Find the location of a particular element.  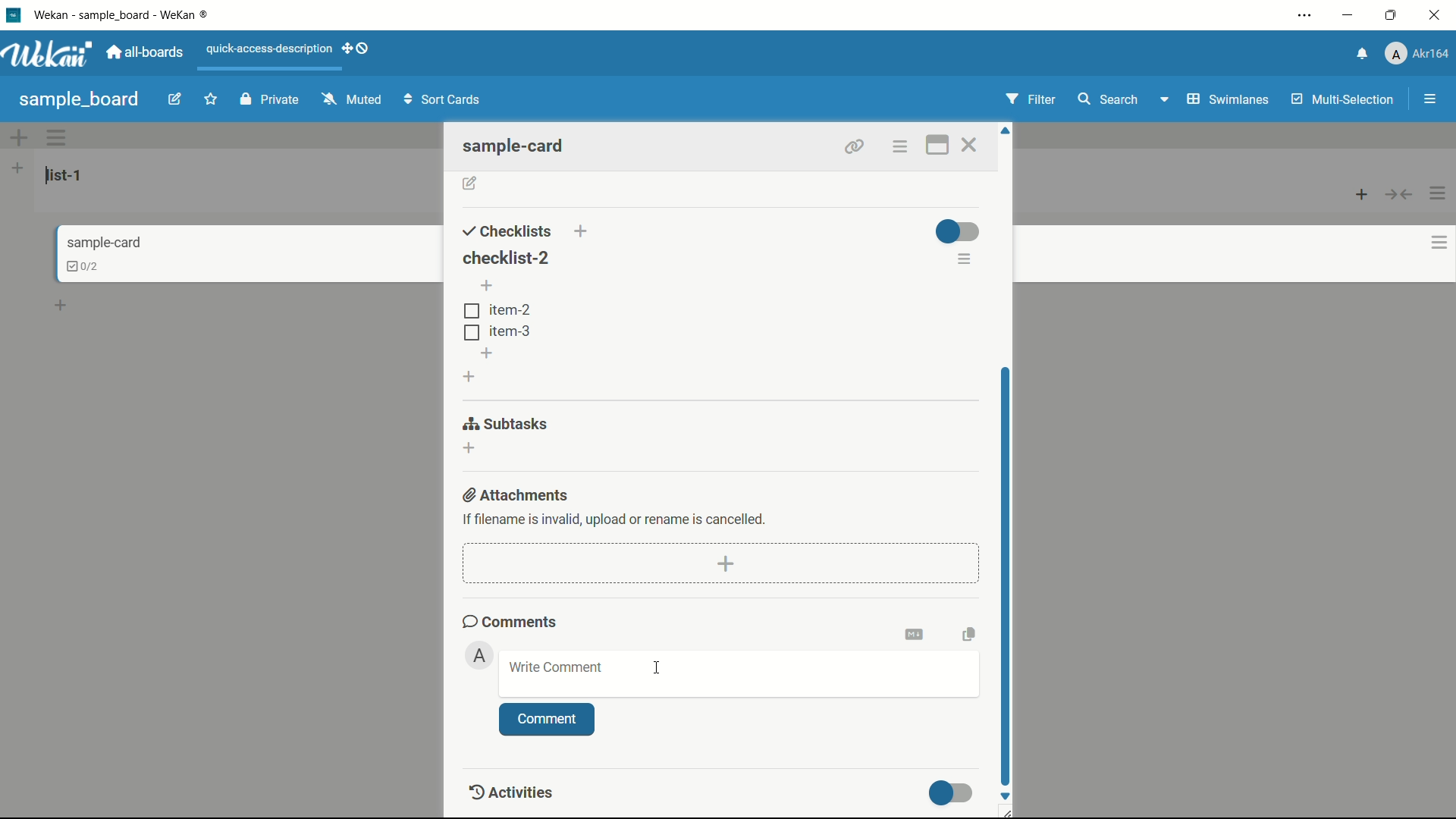

text is located at coordinates (616, 518).